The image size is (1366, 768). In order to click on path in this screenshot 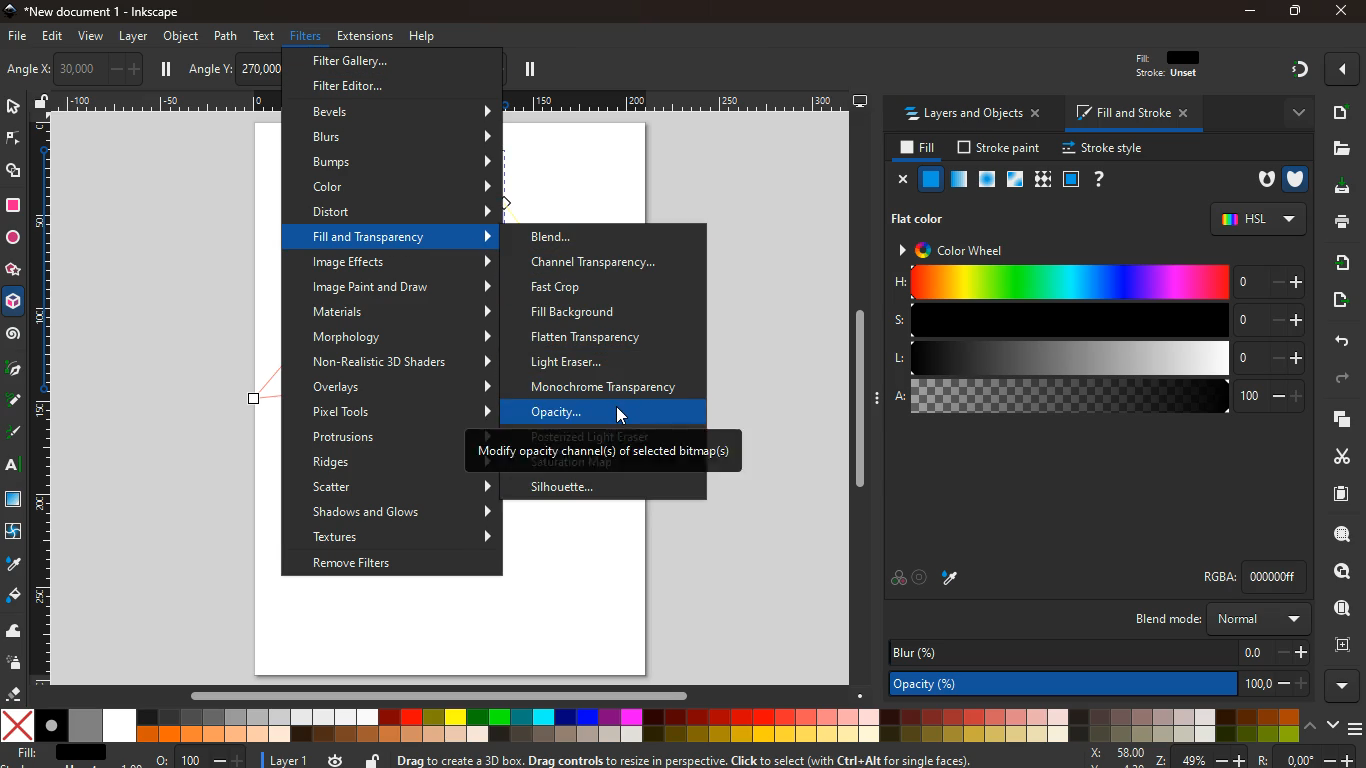, I will do `click(226, 35)`.